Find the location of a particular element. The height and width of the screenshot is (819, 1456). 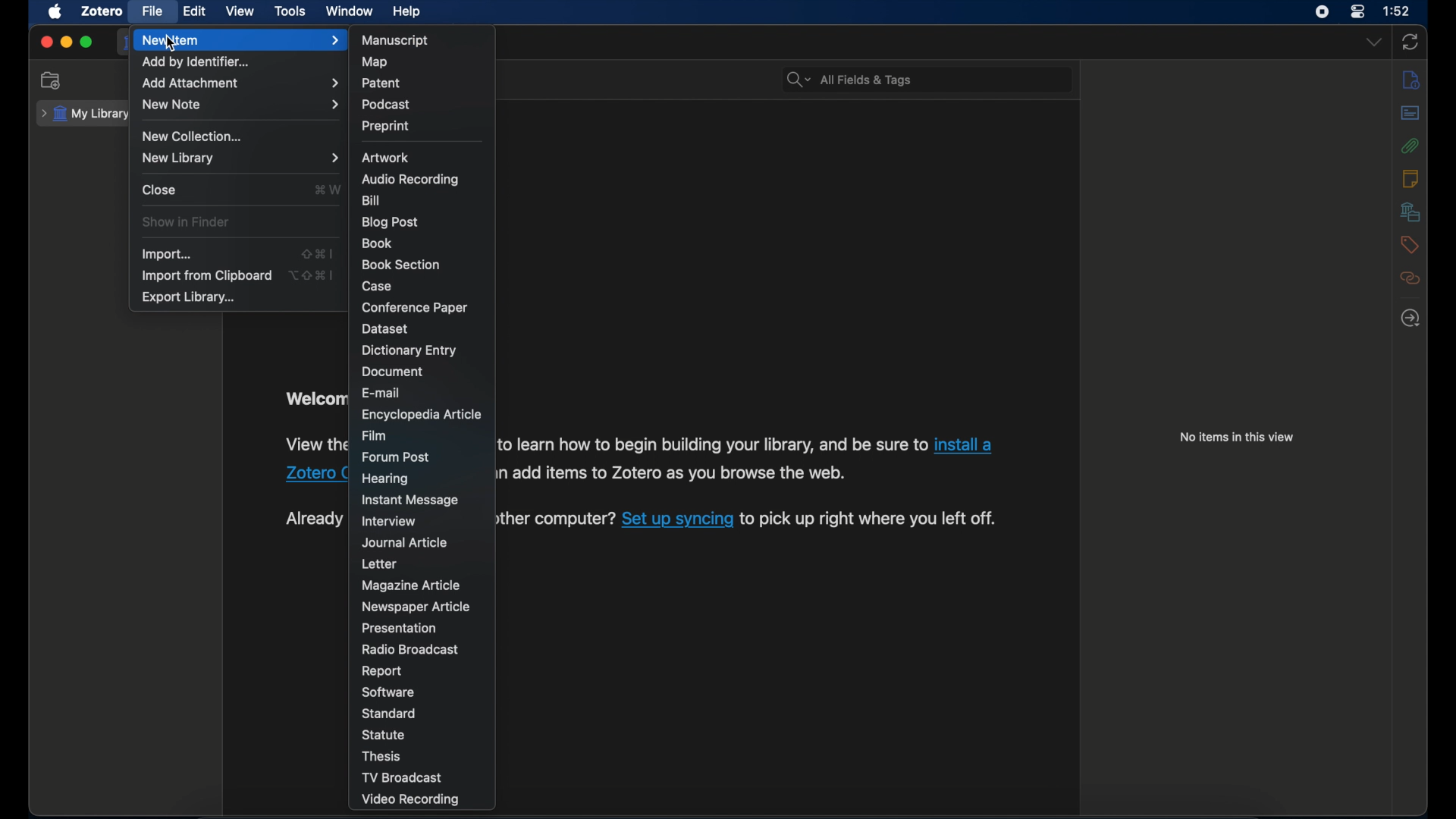

new collection is located at coordinates (195, 136).